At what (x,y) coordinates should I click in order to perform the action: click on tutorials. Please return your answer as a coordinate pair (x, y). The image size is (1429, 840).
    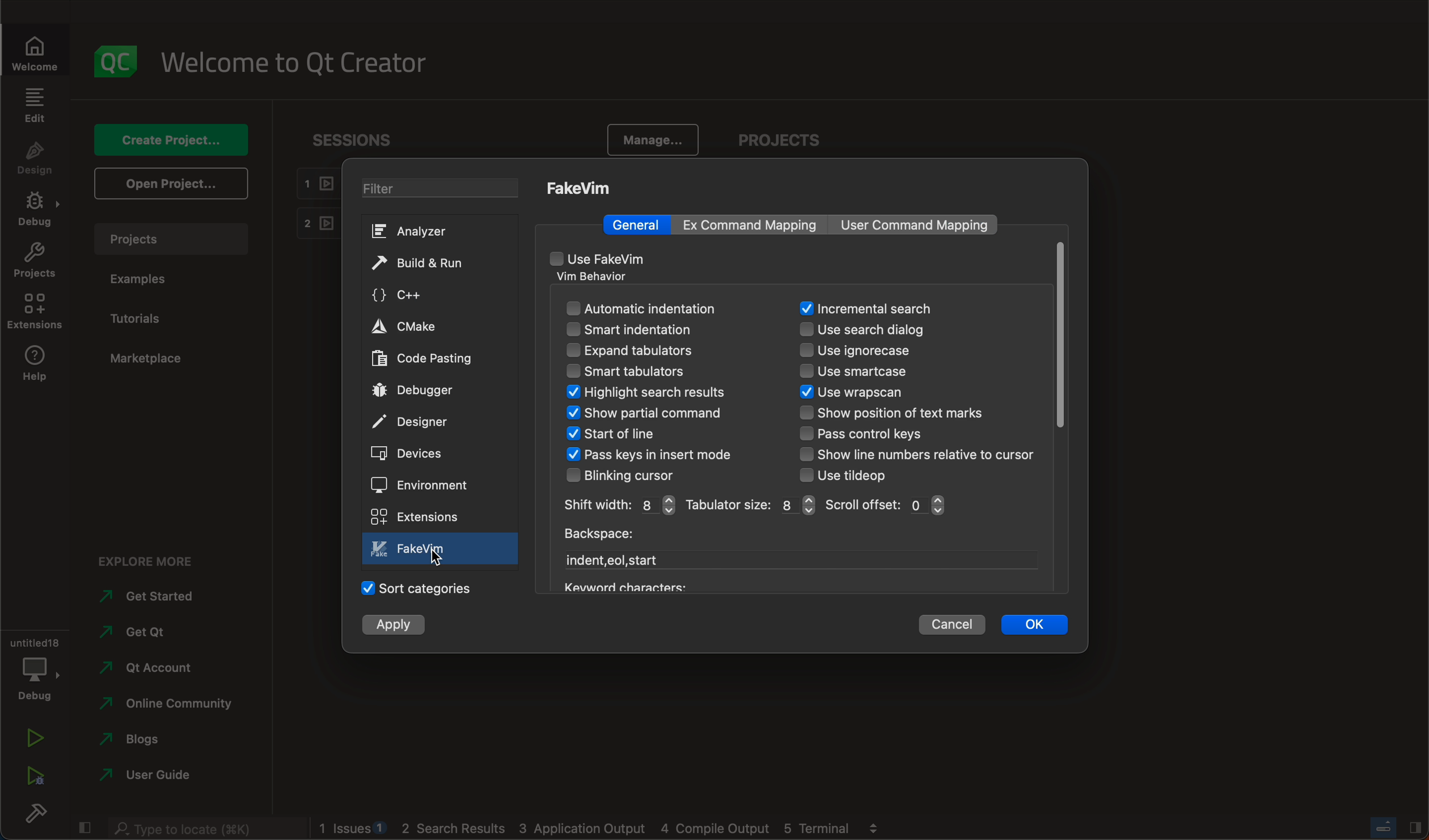
    Looking at the image, I should click on (150, 316).